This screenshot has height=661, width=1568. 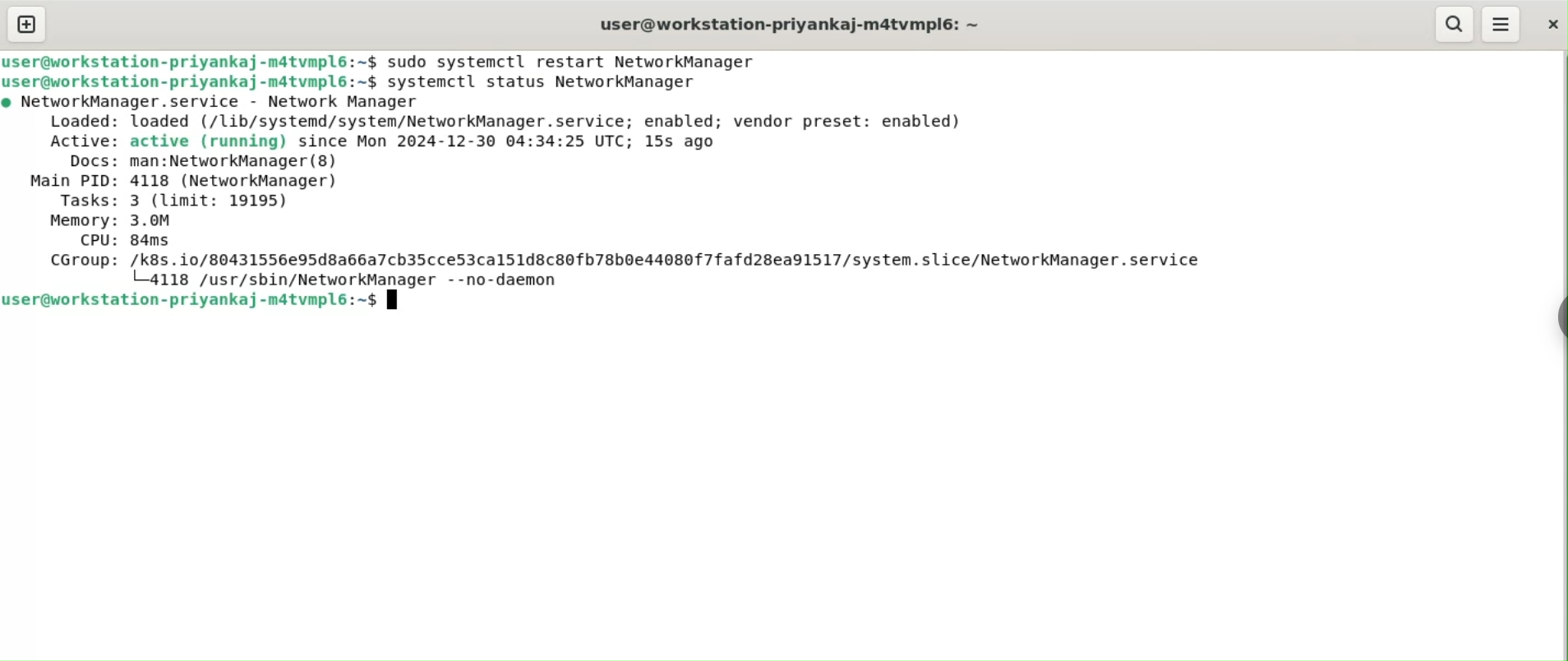 What do you see at coordinates (1552, 25) in the screenshot?
I see `close` at bounding box center [1552, 25].